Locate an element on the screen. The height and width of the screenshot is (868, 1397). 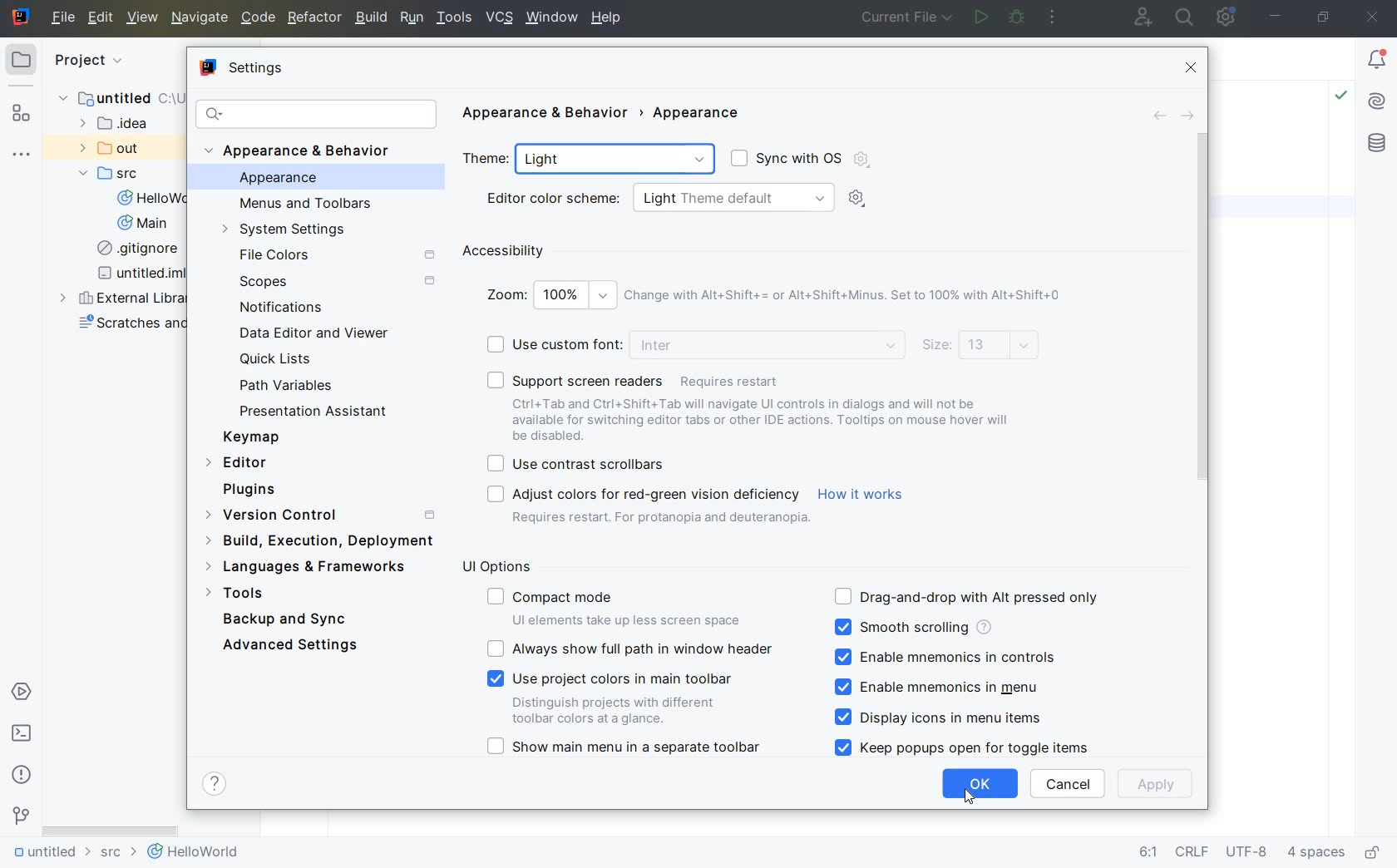
PROJECT folder is located at coordinates (22, 62).